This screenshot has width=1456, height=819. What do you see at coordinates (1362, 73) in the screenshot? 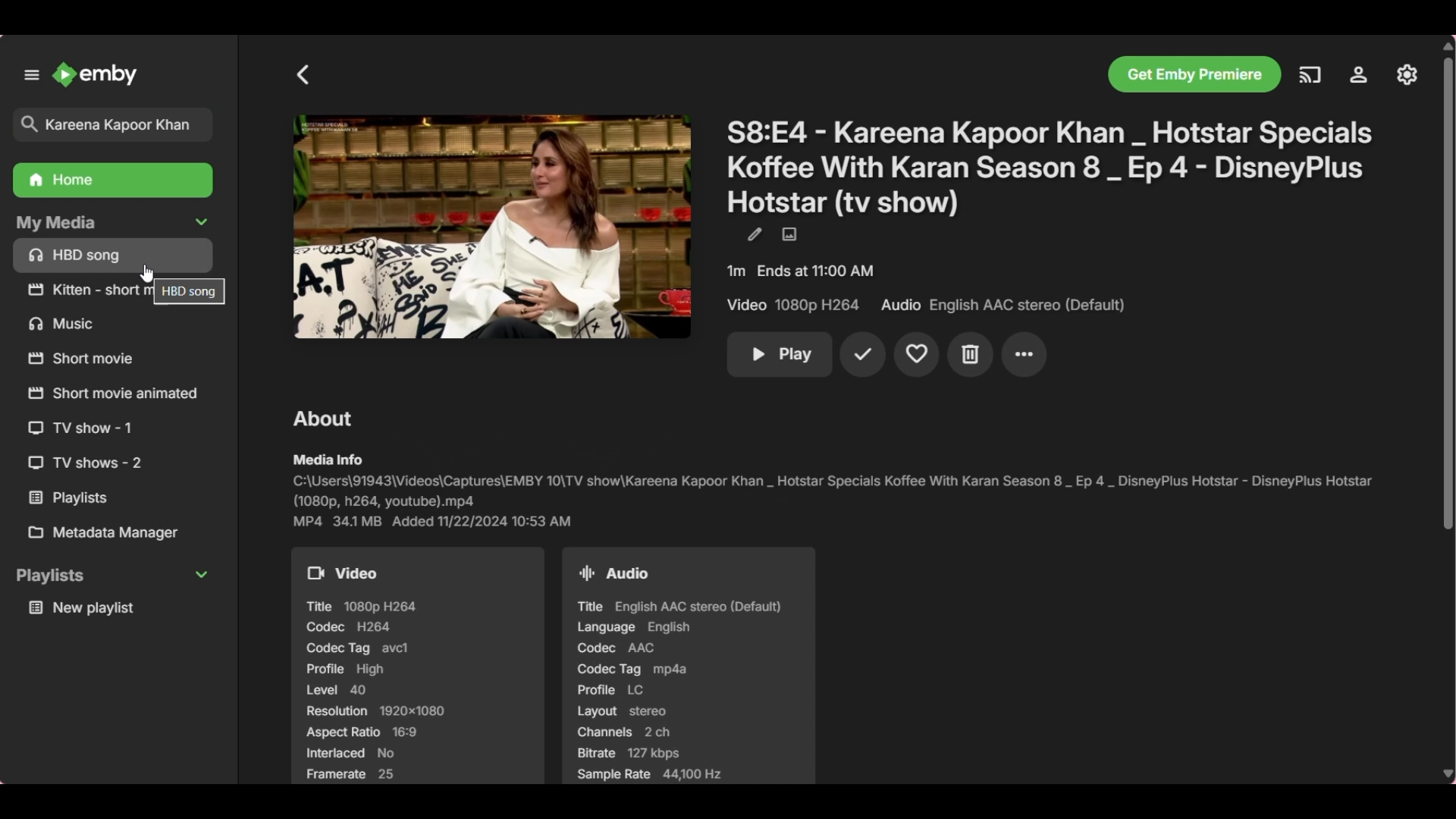
I see `` at bounding box center [1362, 73].